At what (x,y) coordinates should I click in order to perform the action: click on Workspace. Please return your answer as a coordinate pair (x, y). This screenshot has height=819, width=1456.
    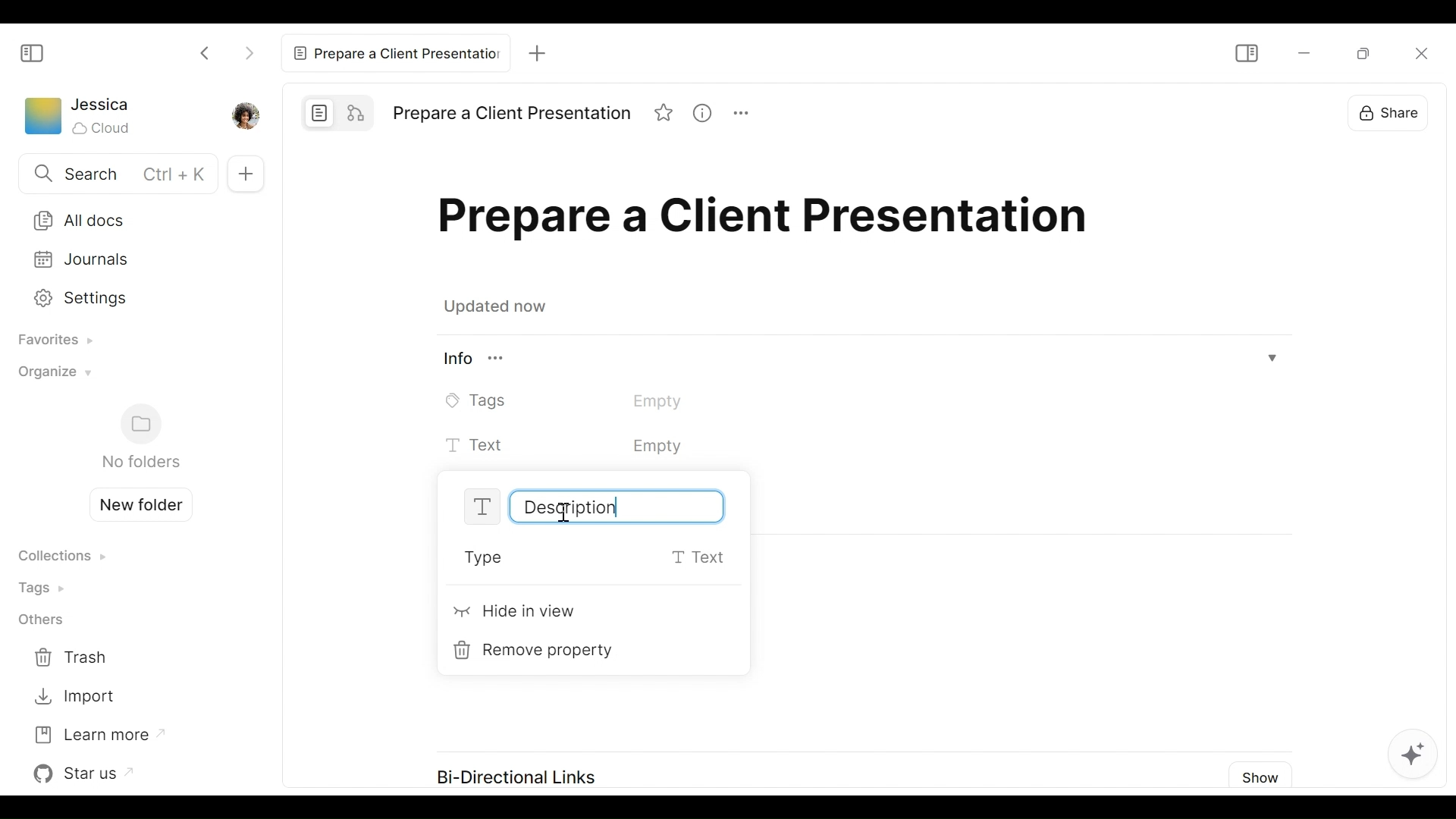
    Looking at the image, I should click on (42, 119).